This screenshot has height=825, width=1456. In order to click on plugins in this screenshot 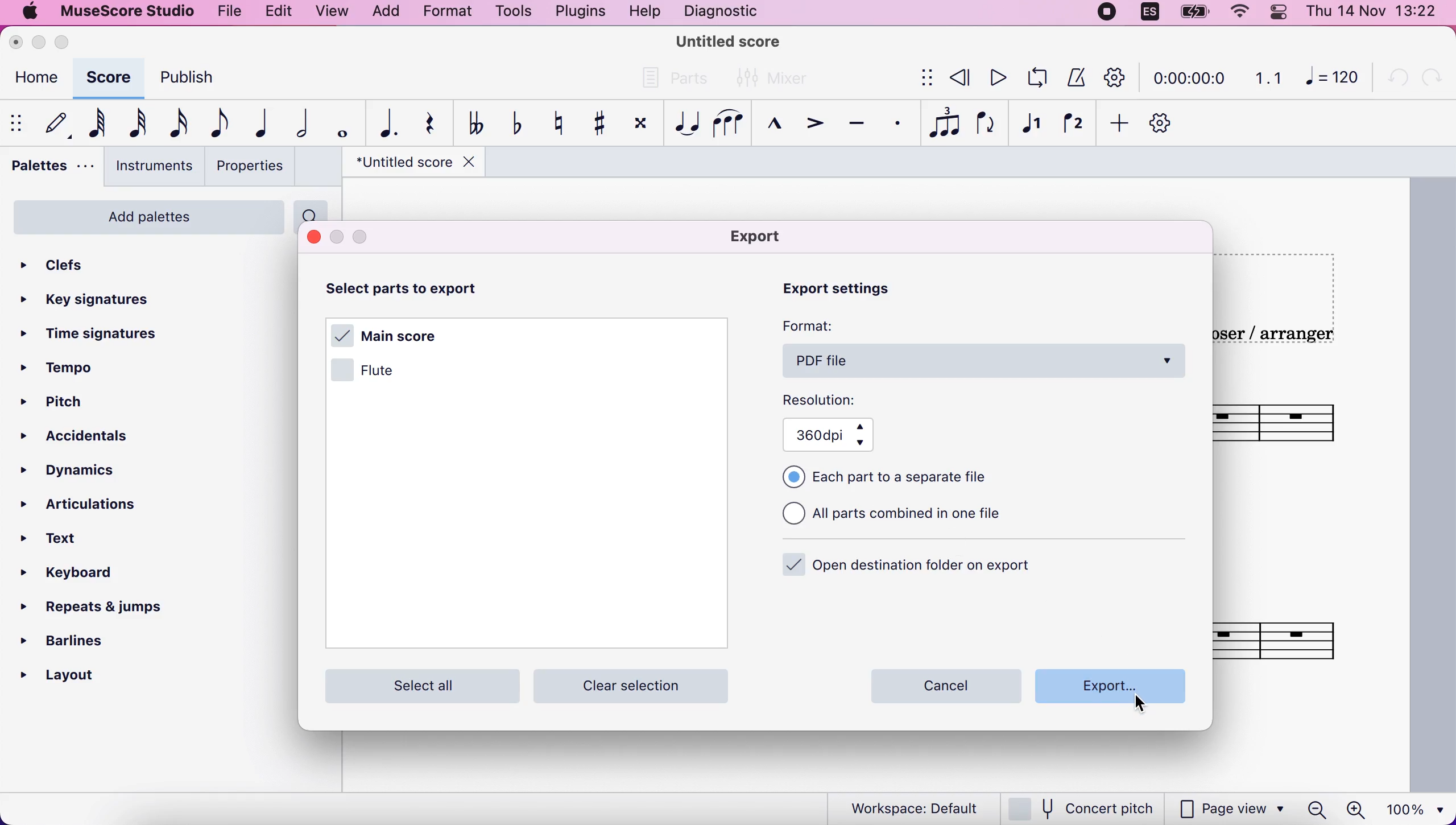, I will do `click(575, 13)`.